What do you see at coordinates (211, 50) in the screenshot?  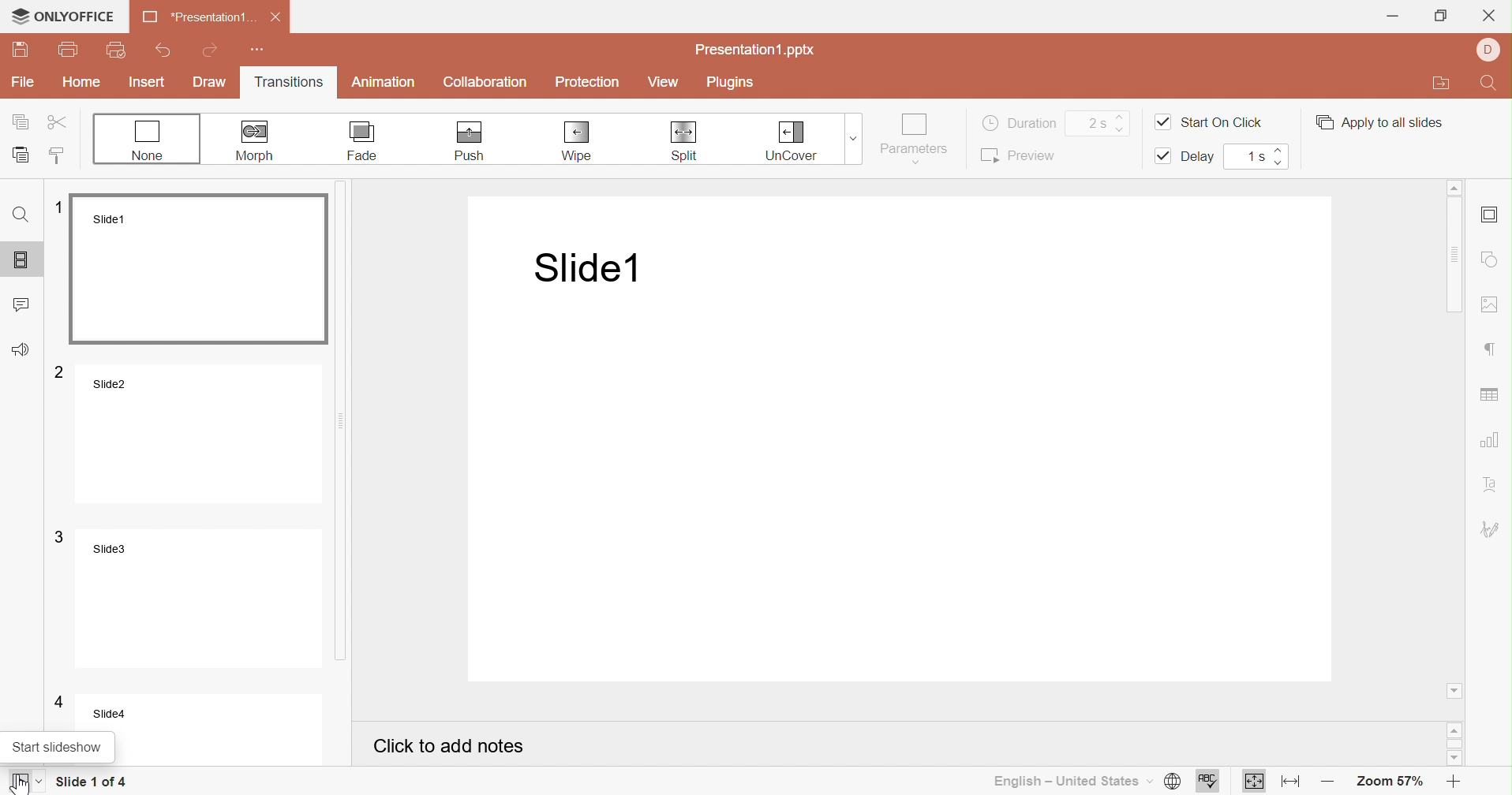 I see `Redo` at bounding box center [211, 50].